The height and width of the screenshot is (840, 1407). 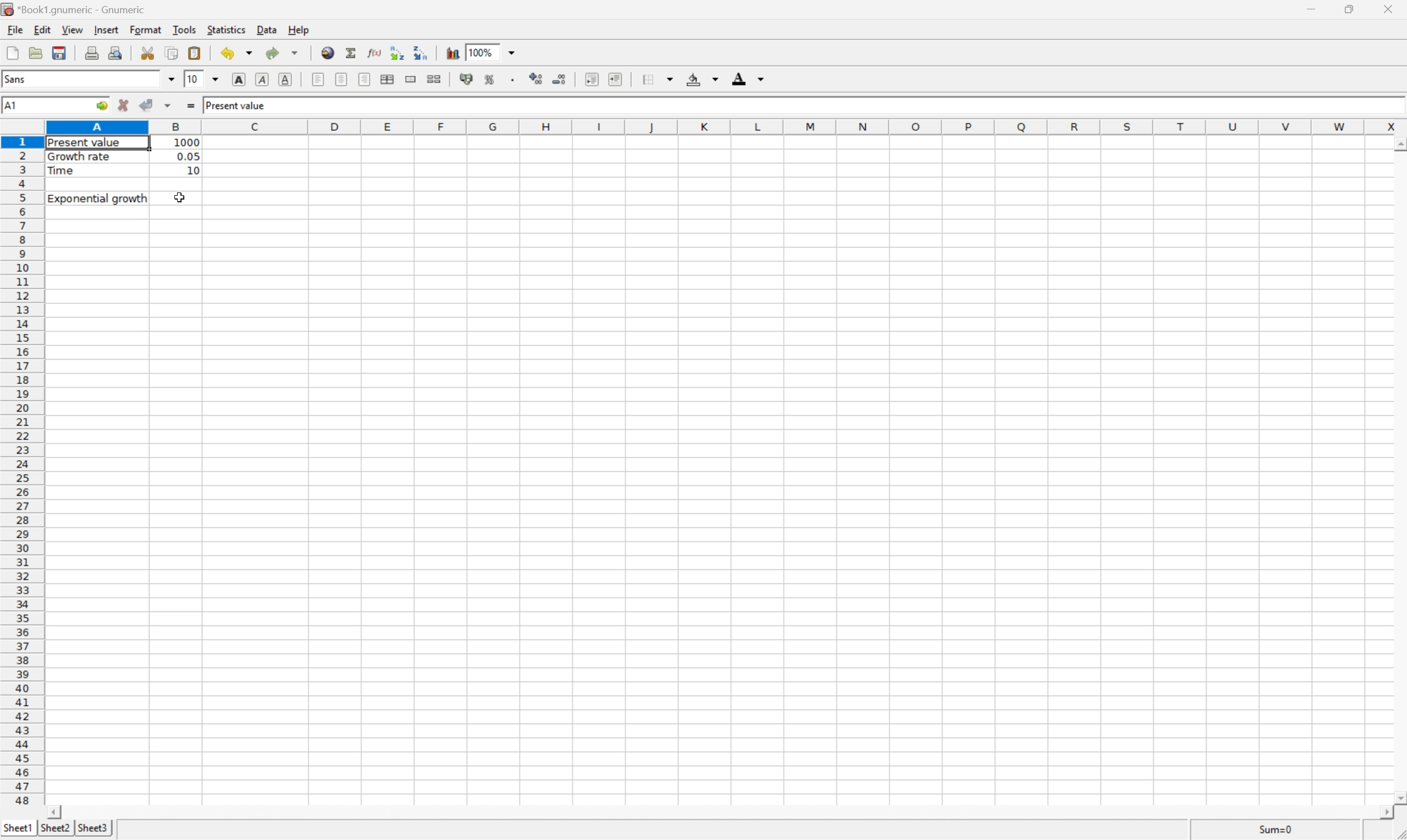 What do you see at coordinates (216, 80) in the screenshot?
I see `Drop Down` at bounding box center [216, 80].